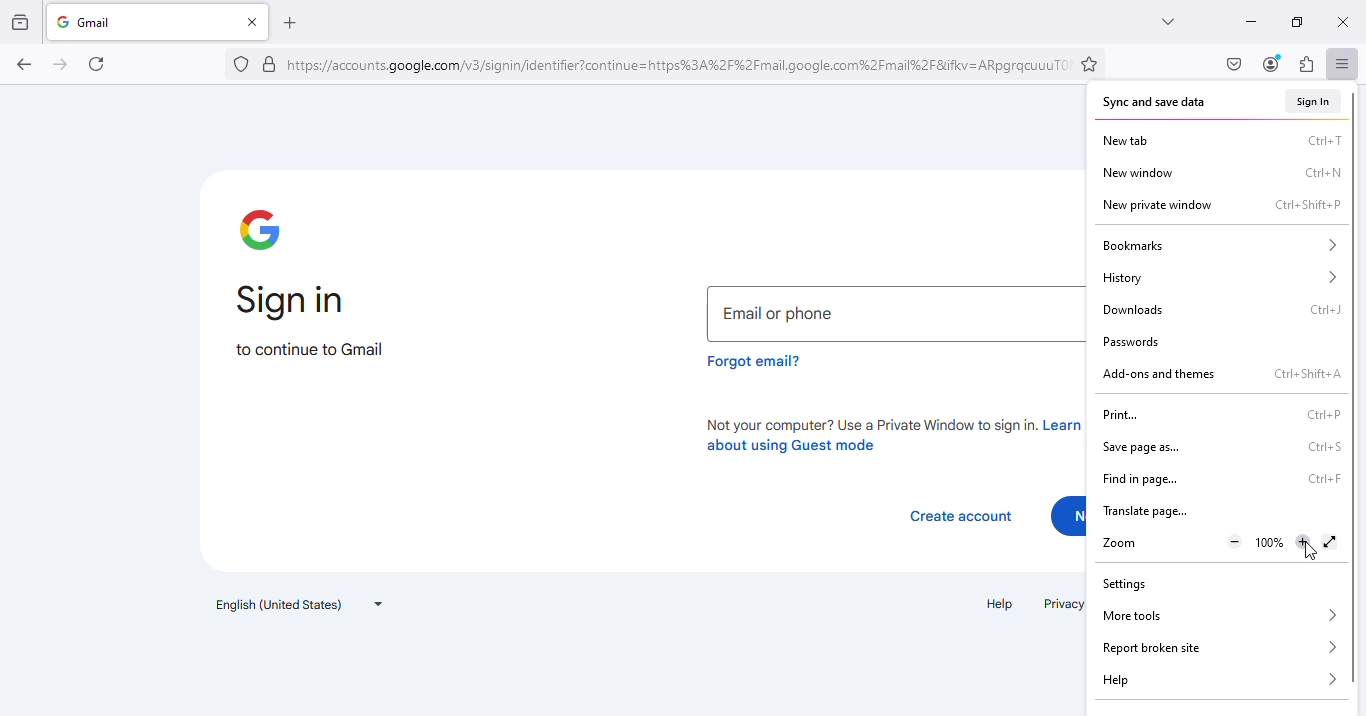 This screenshot has height=716, width=1366. I want to click on open application menu, so click(1344, 63).